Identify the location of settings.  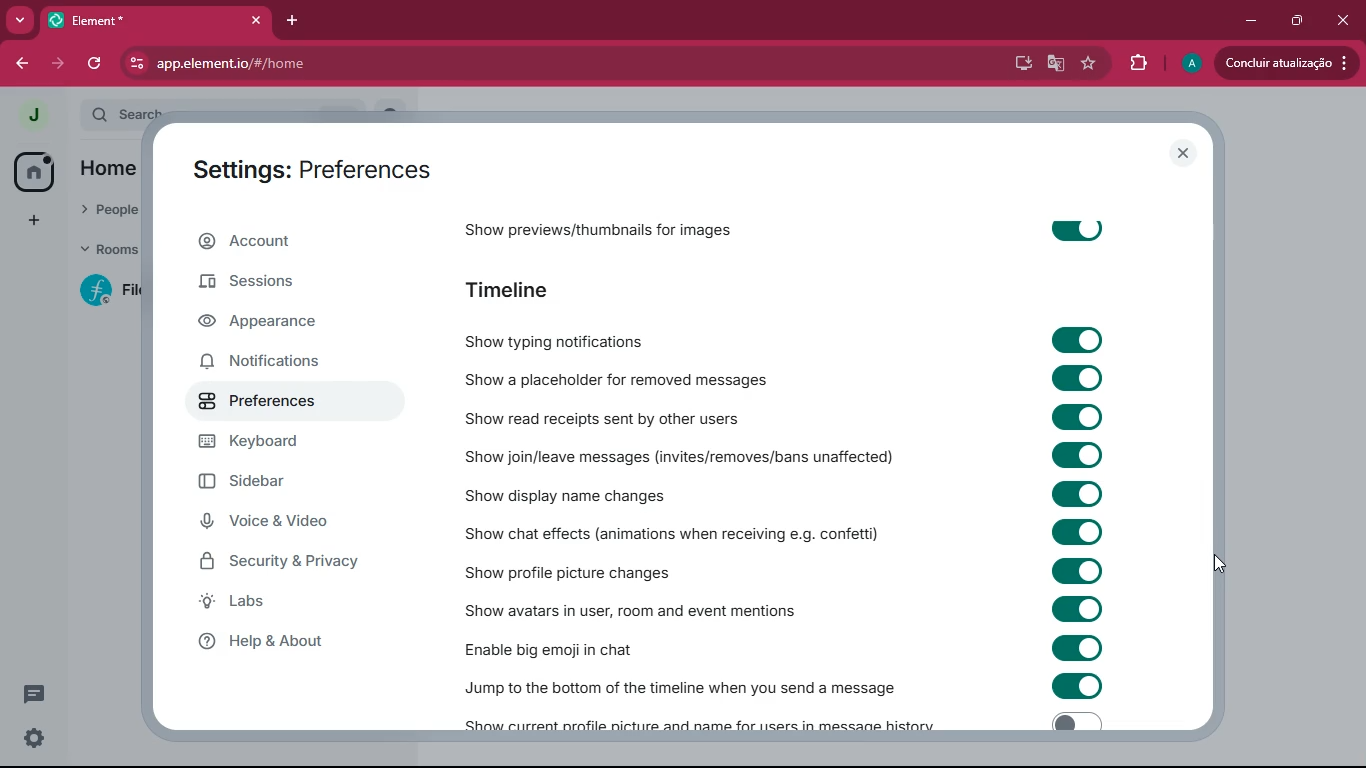
(34, 740).